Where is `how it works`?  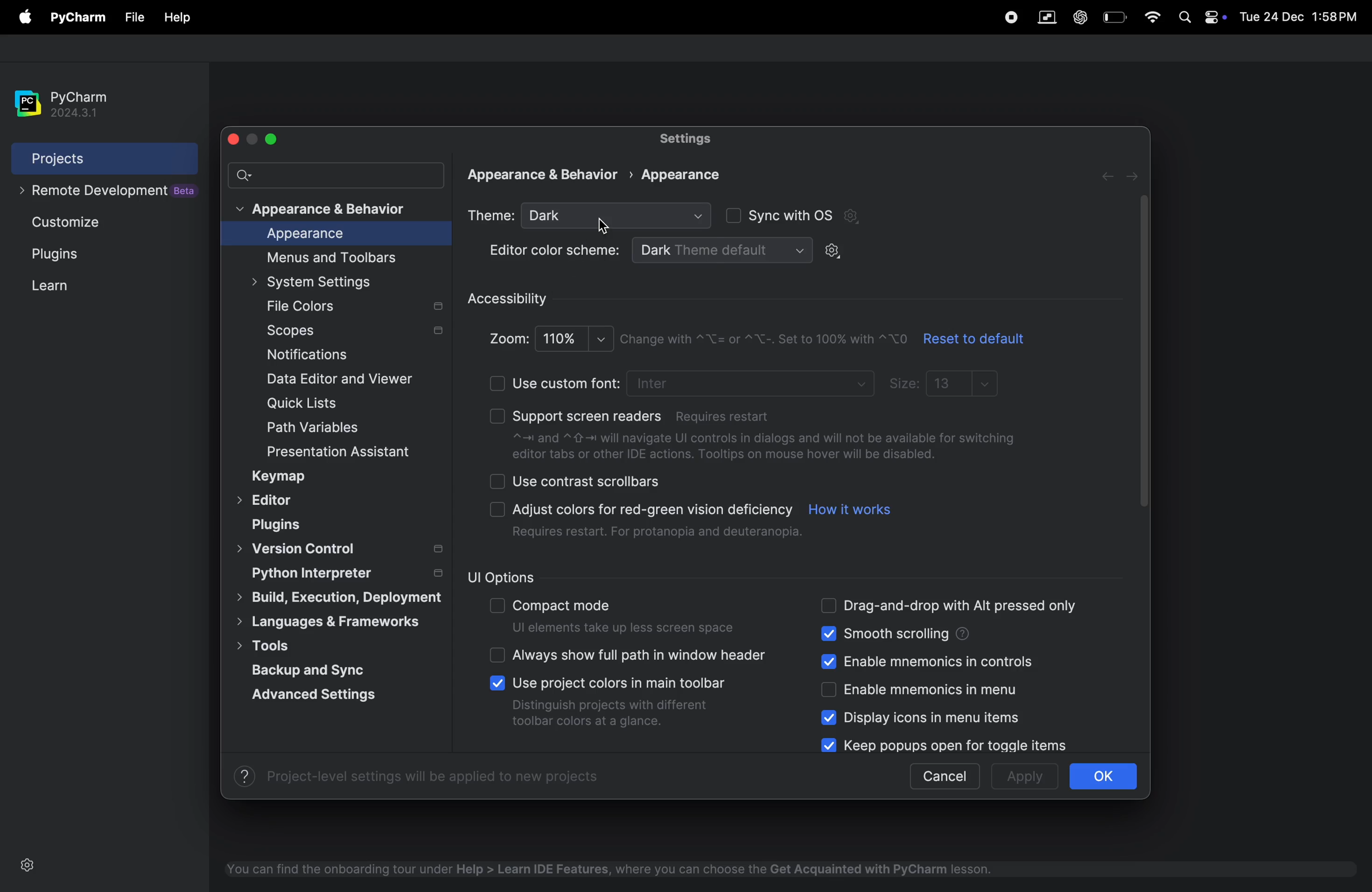 how it works is located at coordinates (856, 512).